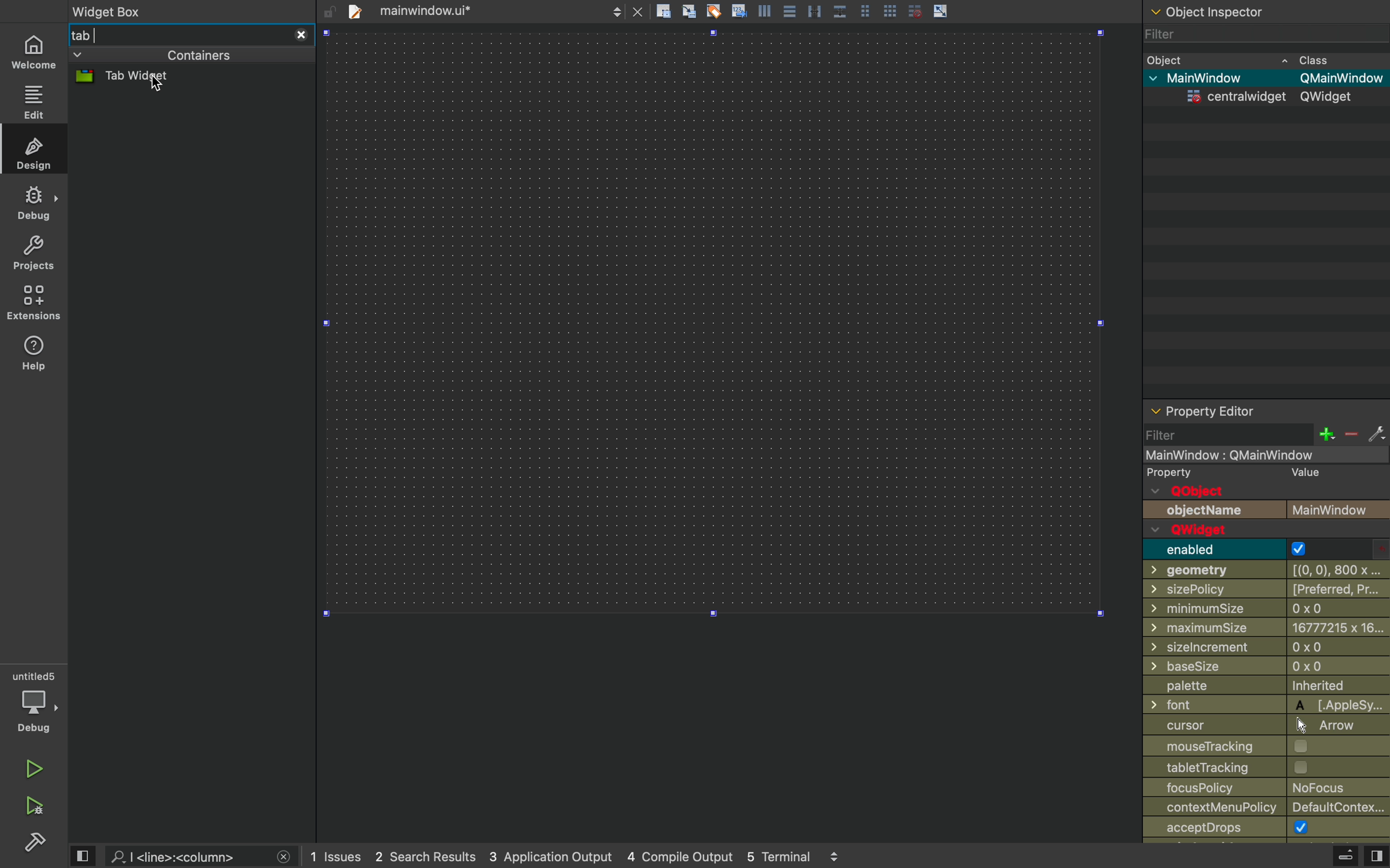 The height and width of the screenshot is (868, 1390). Describe the element at coordinates (33, 845) in the screenshot. I see `build` at that location.